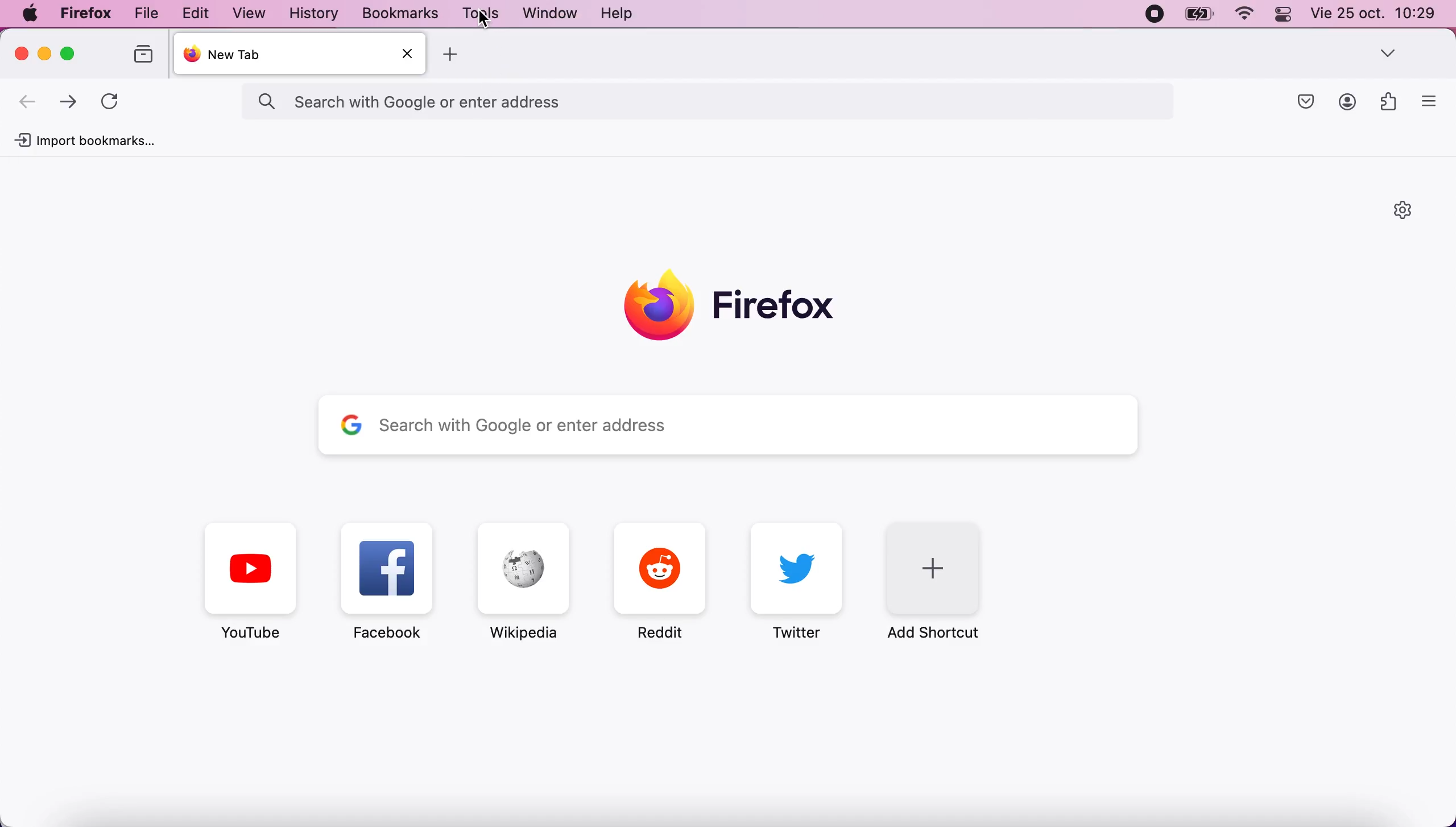  Describe the element at coordinates (68, 53) in the screenshot. I see `Maximize` at that location.